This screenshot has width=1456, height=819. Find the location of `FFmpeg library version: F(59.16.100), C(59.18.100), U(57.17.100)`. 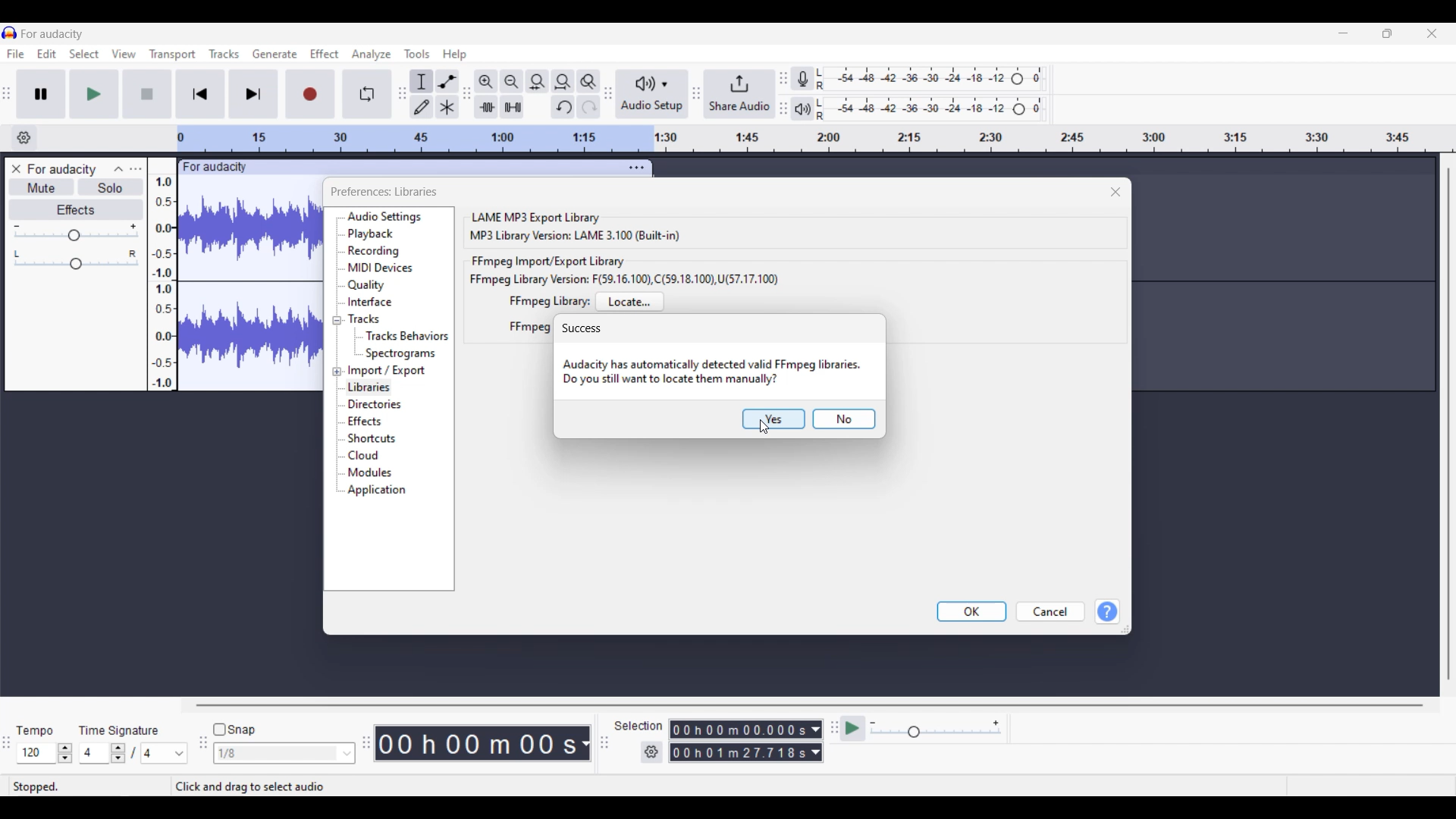

FFmpeg library version: F(59.16.100), C(59.18.100), U(57.17.100) is located at coordinates (624, 279).